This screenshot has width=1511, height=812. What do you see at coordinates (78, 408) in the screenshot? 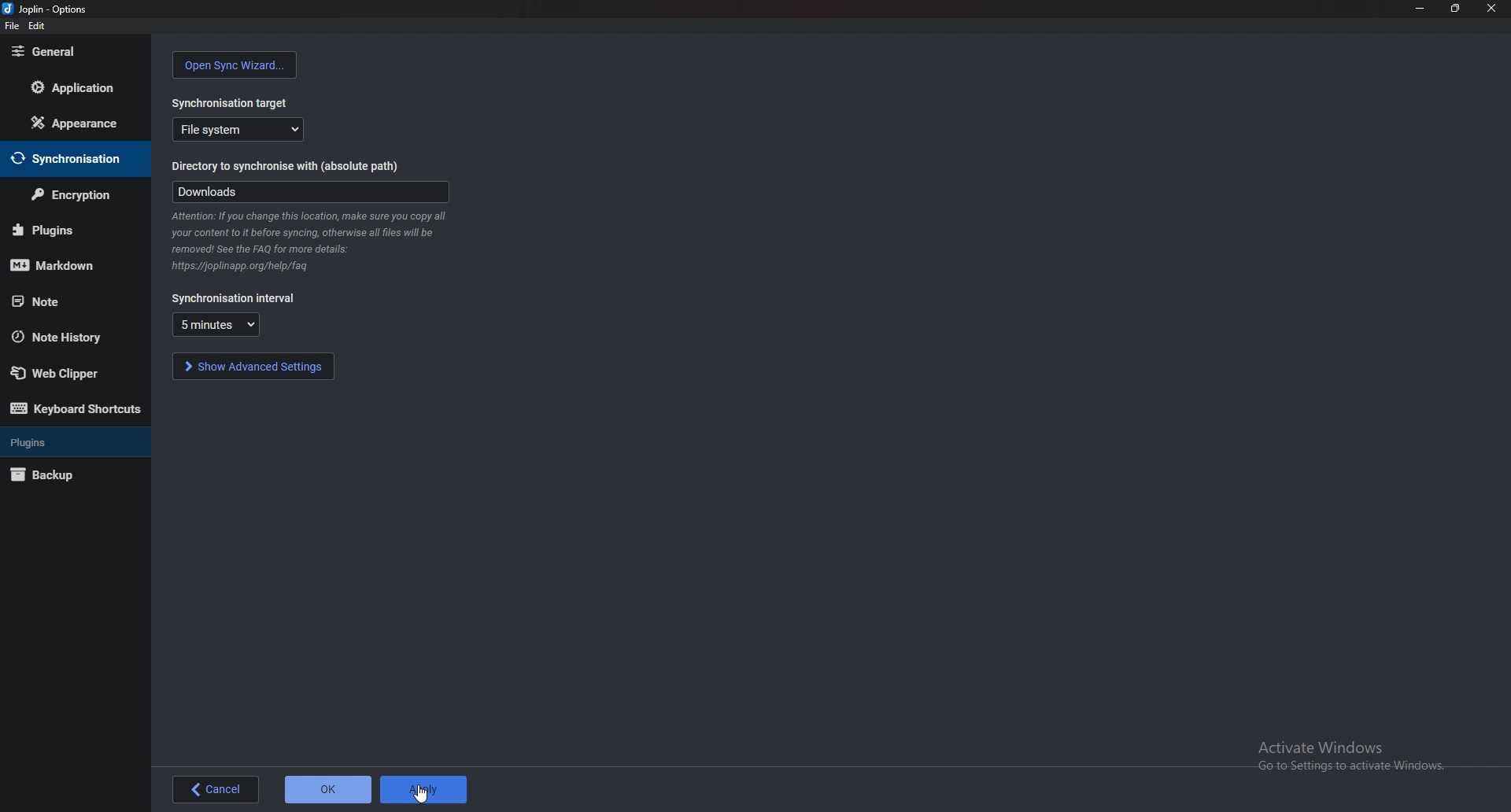
I see `Keyboard shortcuts` at bounding box center [78, 408].